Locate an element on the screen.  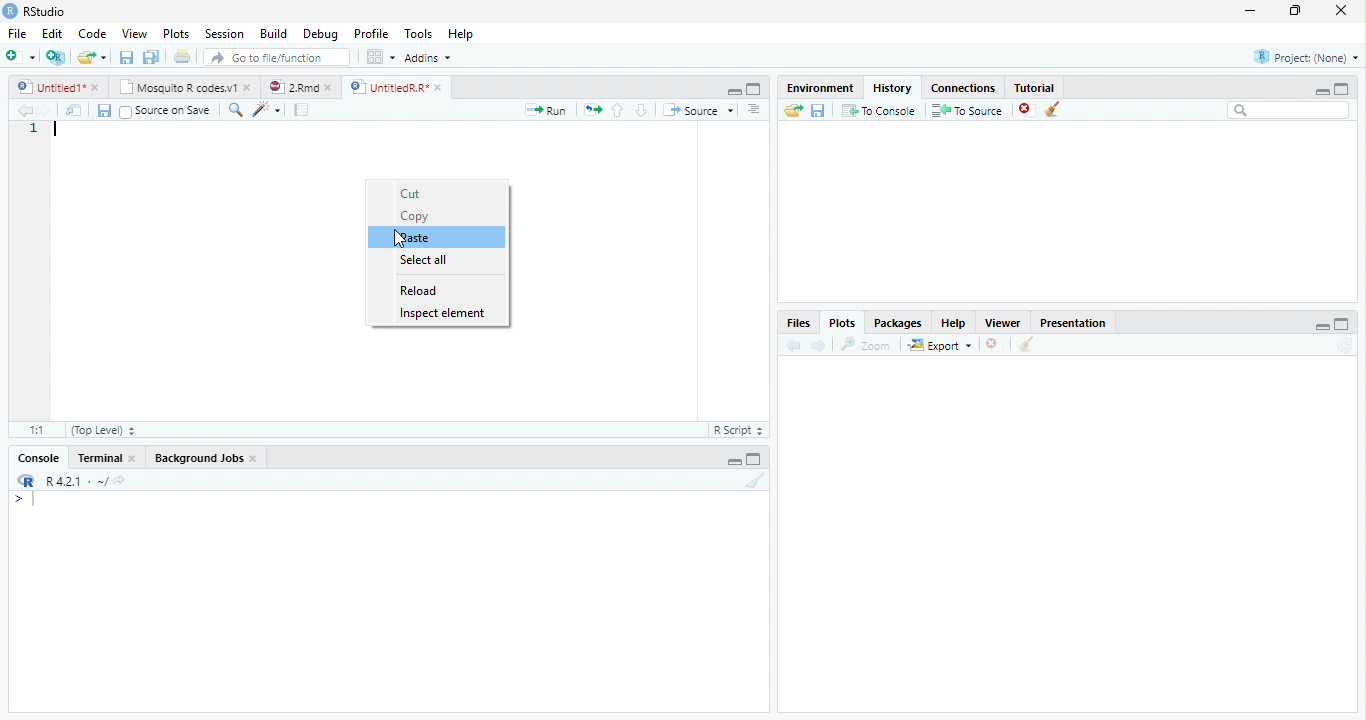
back is located at coordinates (790, 345).